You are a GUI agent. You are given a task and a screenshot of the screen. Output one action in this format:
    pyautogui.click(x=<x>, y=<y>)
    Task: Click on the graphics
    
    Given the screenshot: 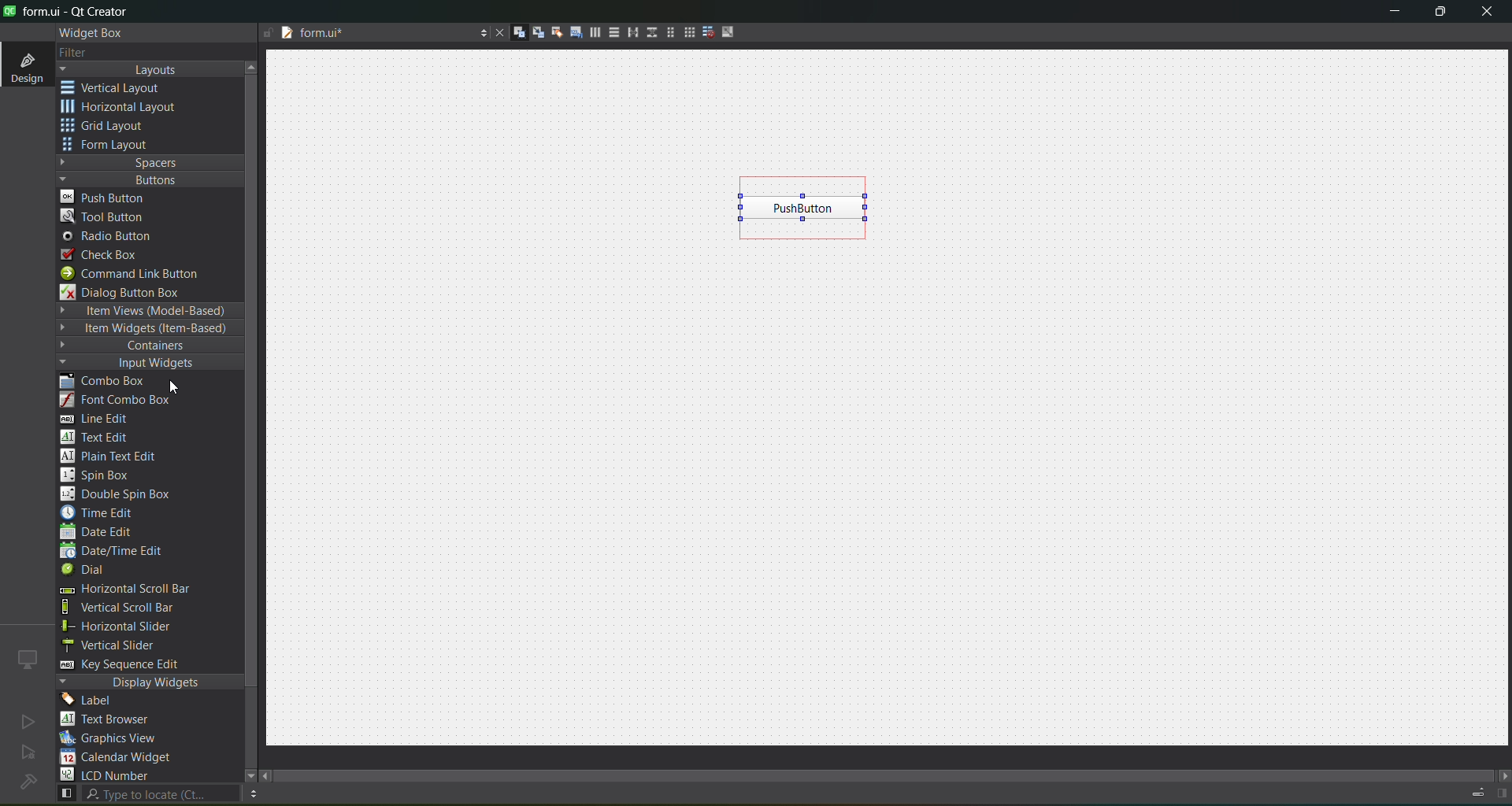 What is the action you would take?
    pyautogui.click(x=115, y=738)
    